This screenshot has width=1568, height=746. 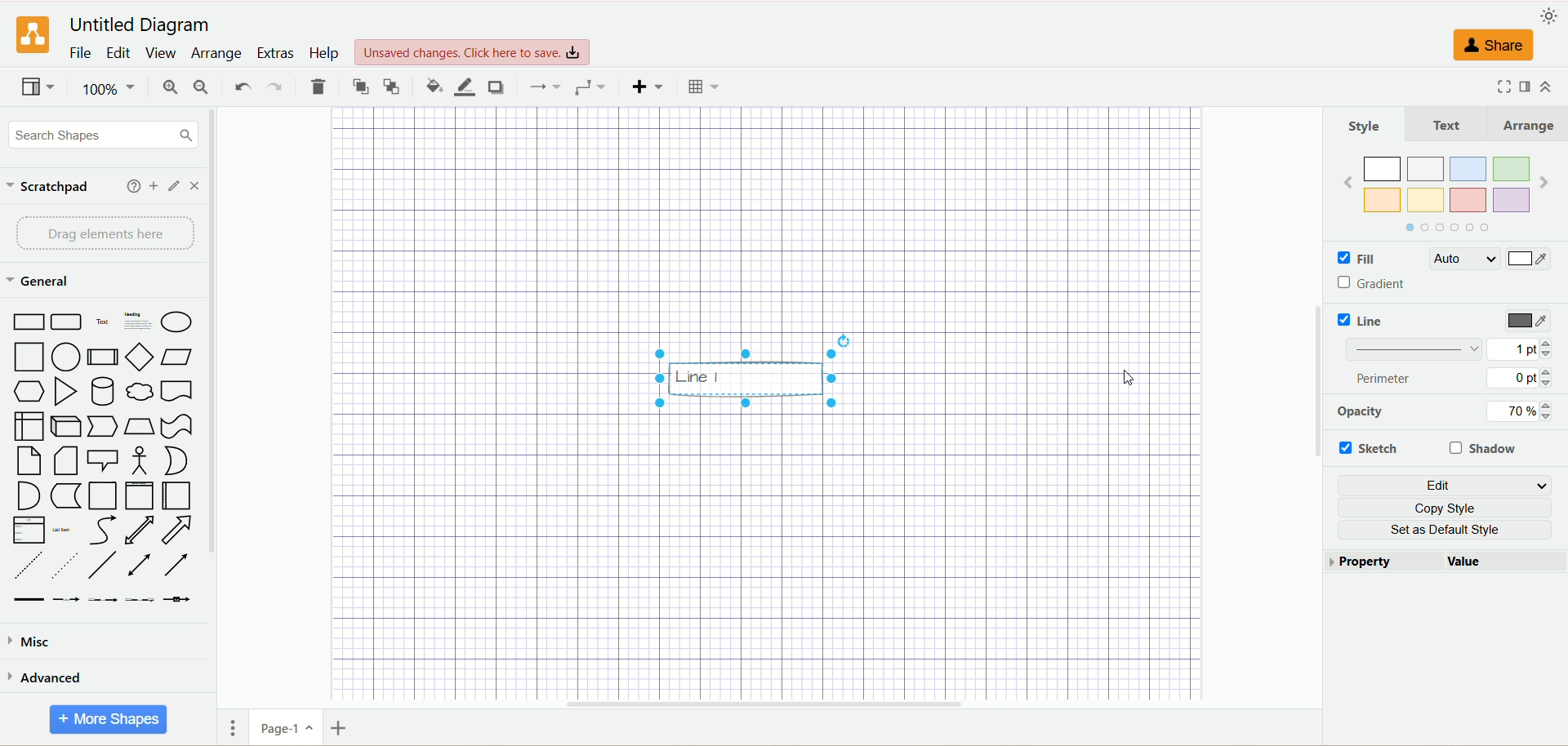 I want to click on table, so click(x=700, y=85).